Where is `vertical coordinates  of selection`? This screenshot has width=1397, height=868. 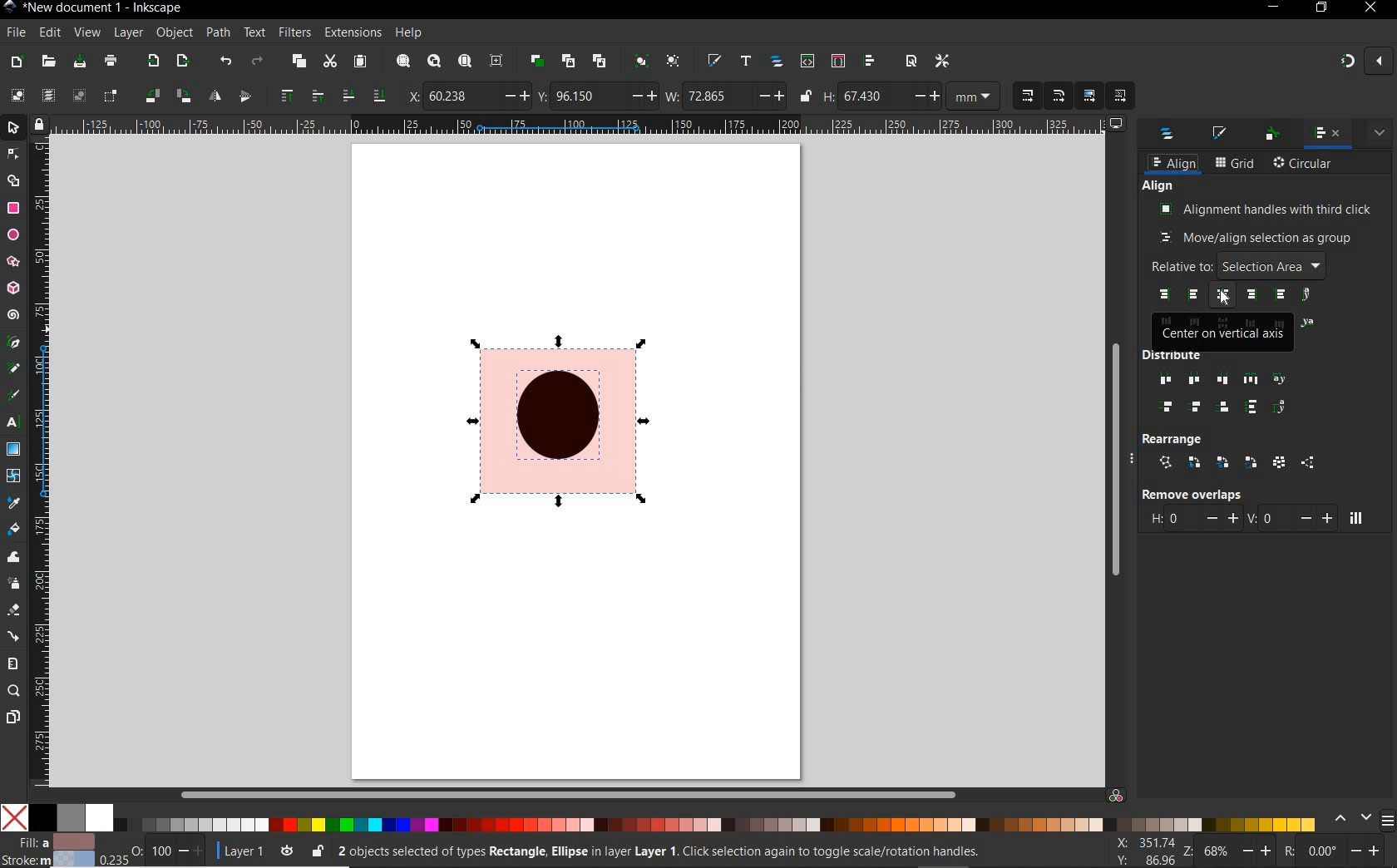
vertical coordinates  of selection is located at coordinates (597, 96).